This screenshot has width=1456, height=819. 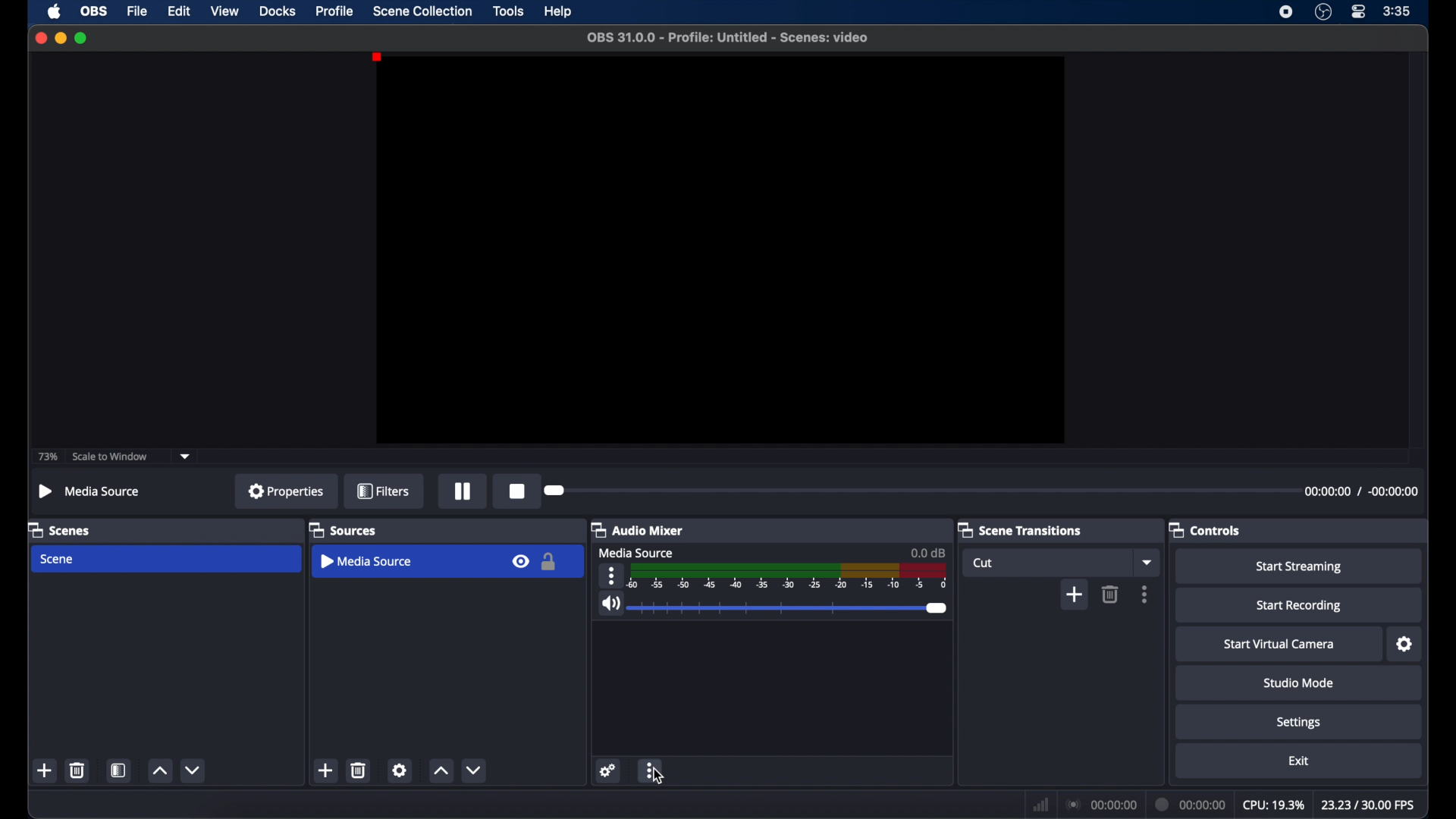 I want to click on slider, so click(x=790, y=608).